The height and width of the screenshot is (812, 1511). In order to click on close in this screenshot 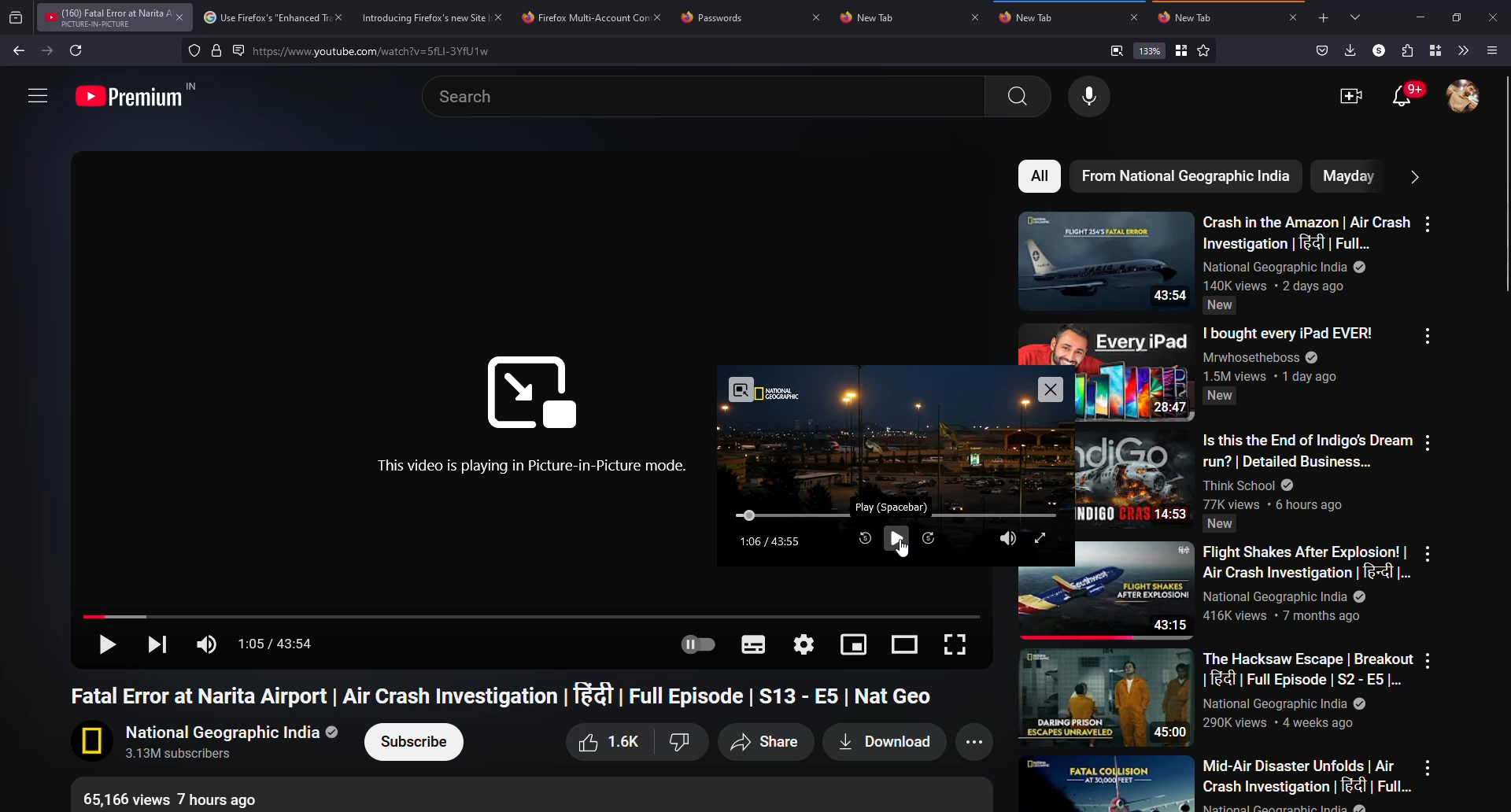, I will do `click(1295, 17)`.